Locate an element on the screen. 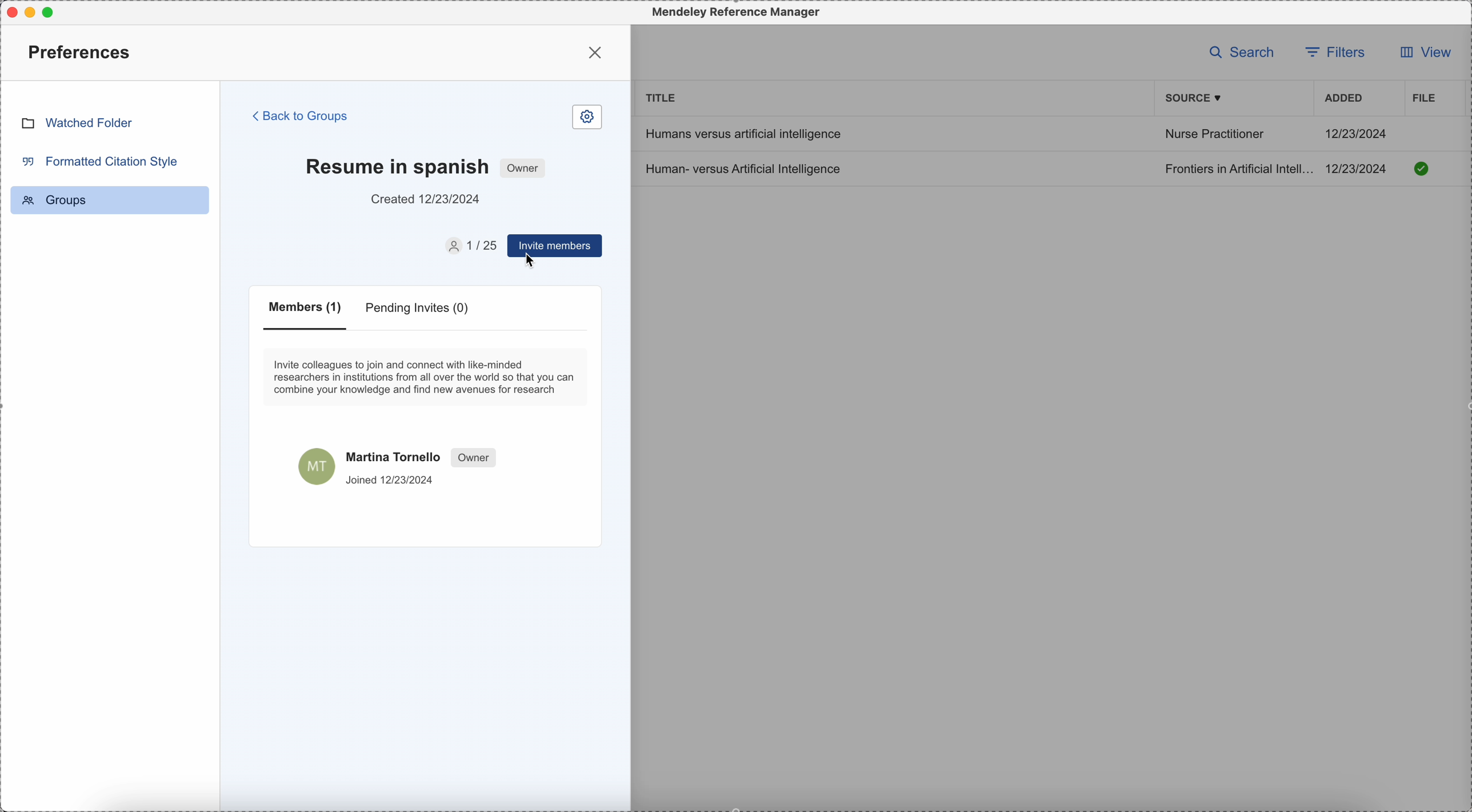  created 12/23/2024 is located at coordinates (427, 199).